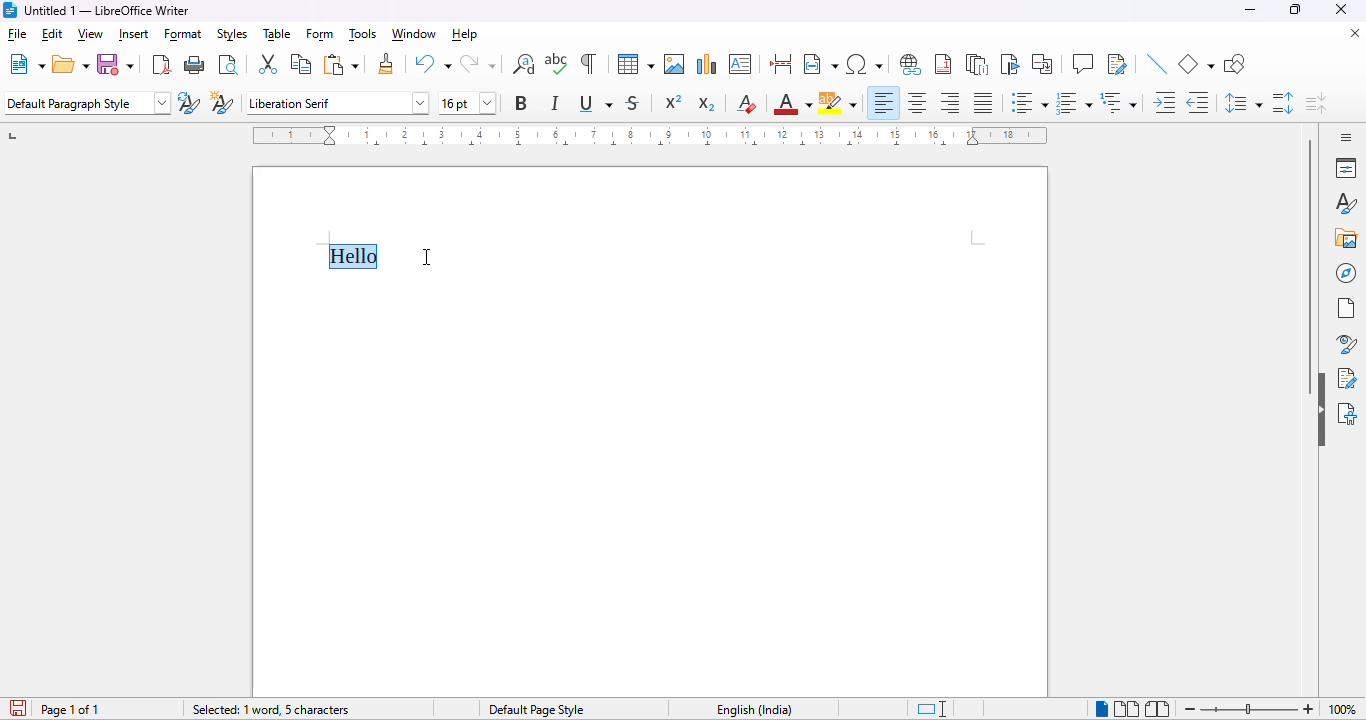 The height and width of the screenshot is (720, 1366). Describe the element at coordinates (756, 710) in the screenshot. I see `English (India)` at that location.